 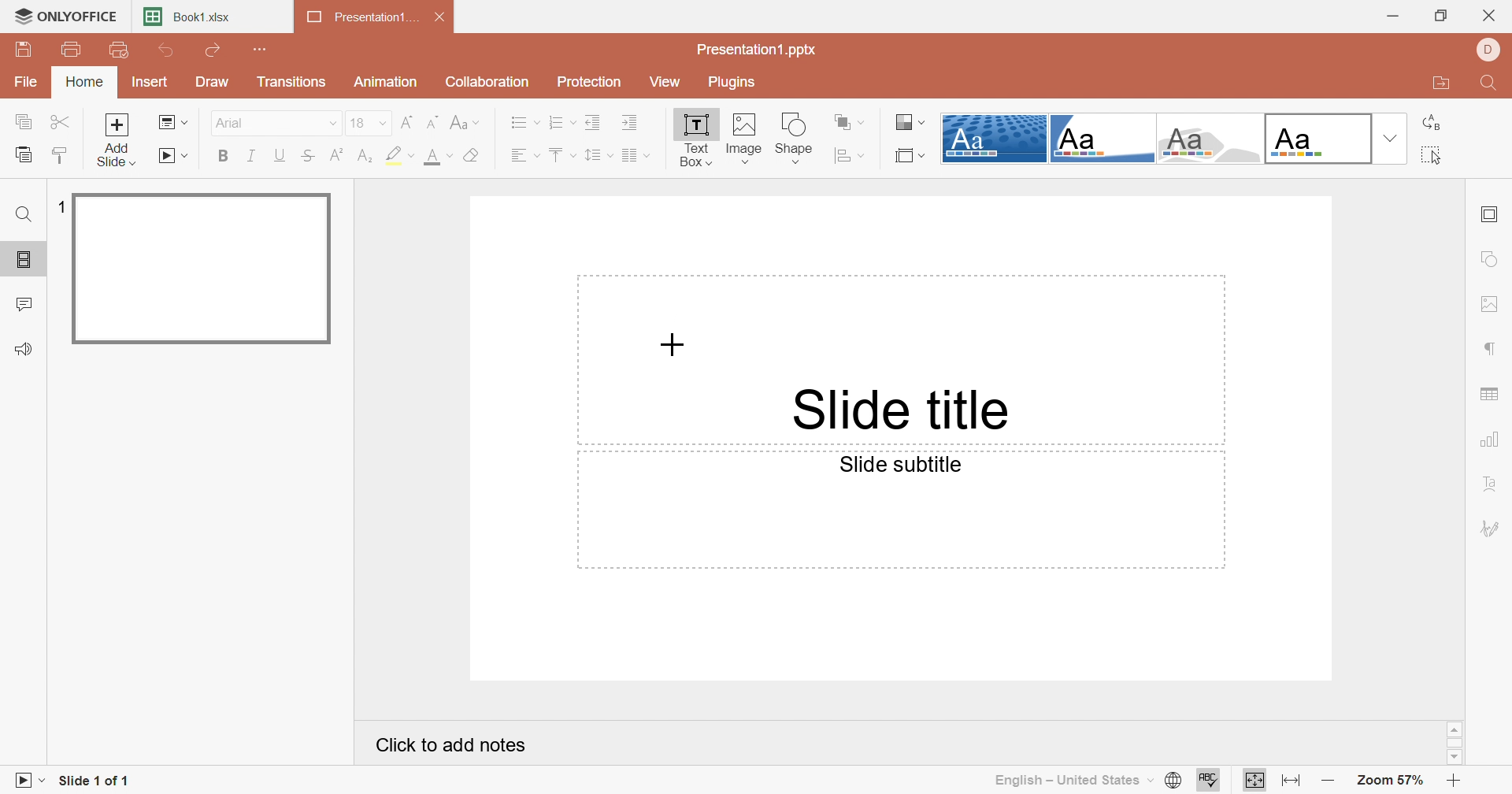 What do you see at coordinates (487, 83) in the screenshot?
I see `Collaboration` at bounding box center [487, 83].